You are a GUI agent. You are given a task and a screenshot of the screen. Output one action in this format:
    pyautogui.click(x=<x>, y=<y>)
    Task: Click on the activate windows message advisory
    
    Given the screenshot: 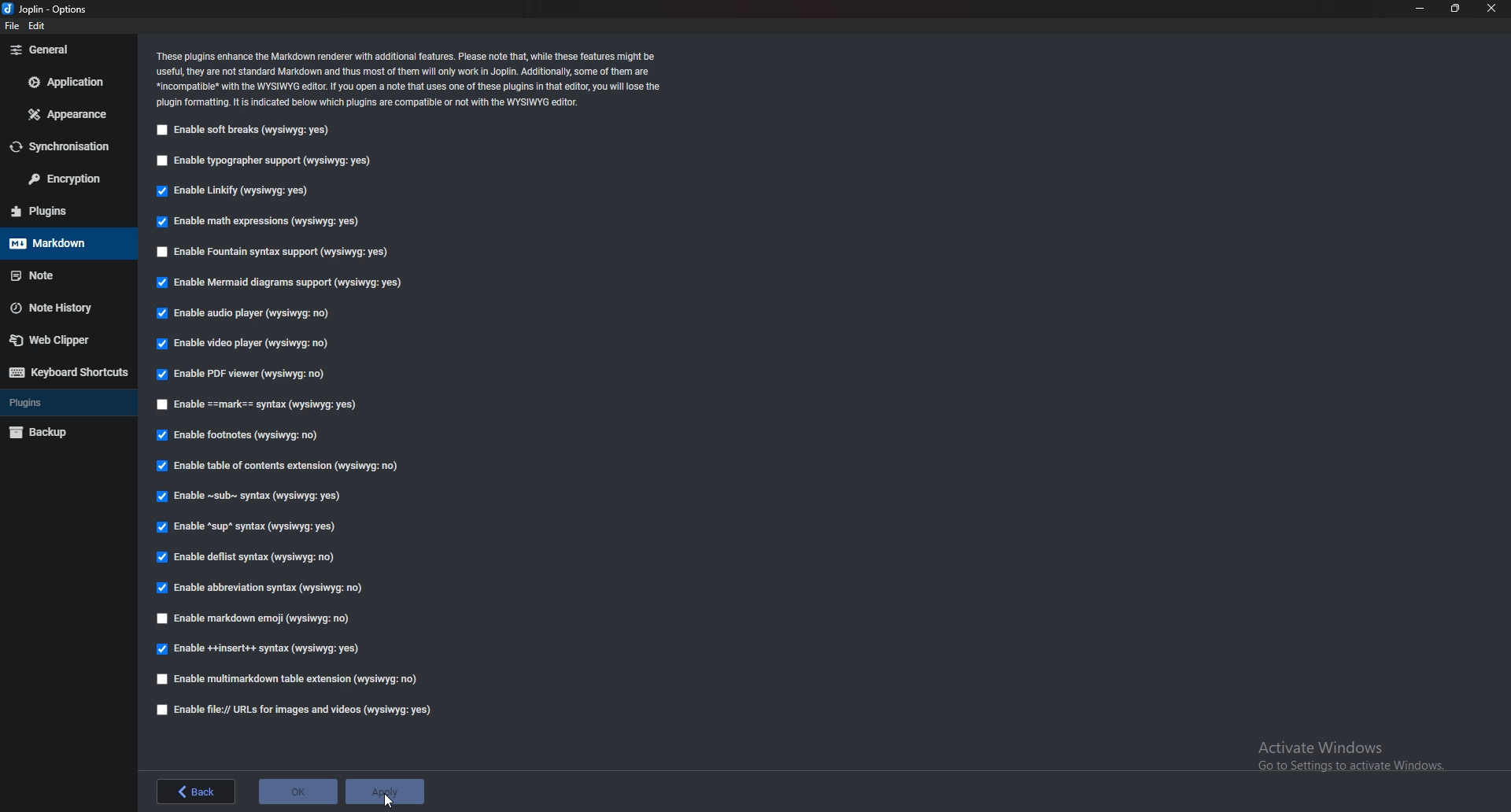 What is the action you would take?
    pyautogui.click(x=1349, y=755)
    